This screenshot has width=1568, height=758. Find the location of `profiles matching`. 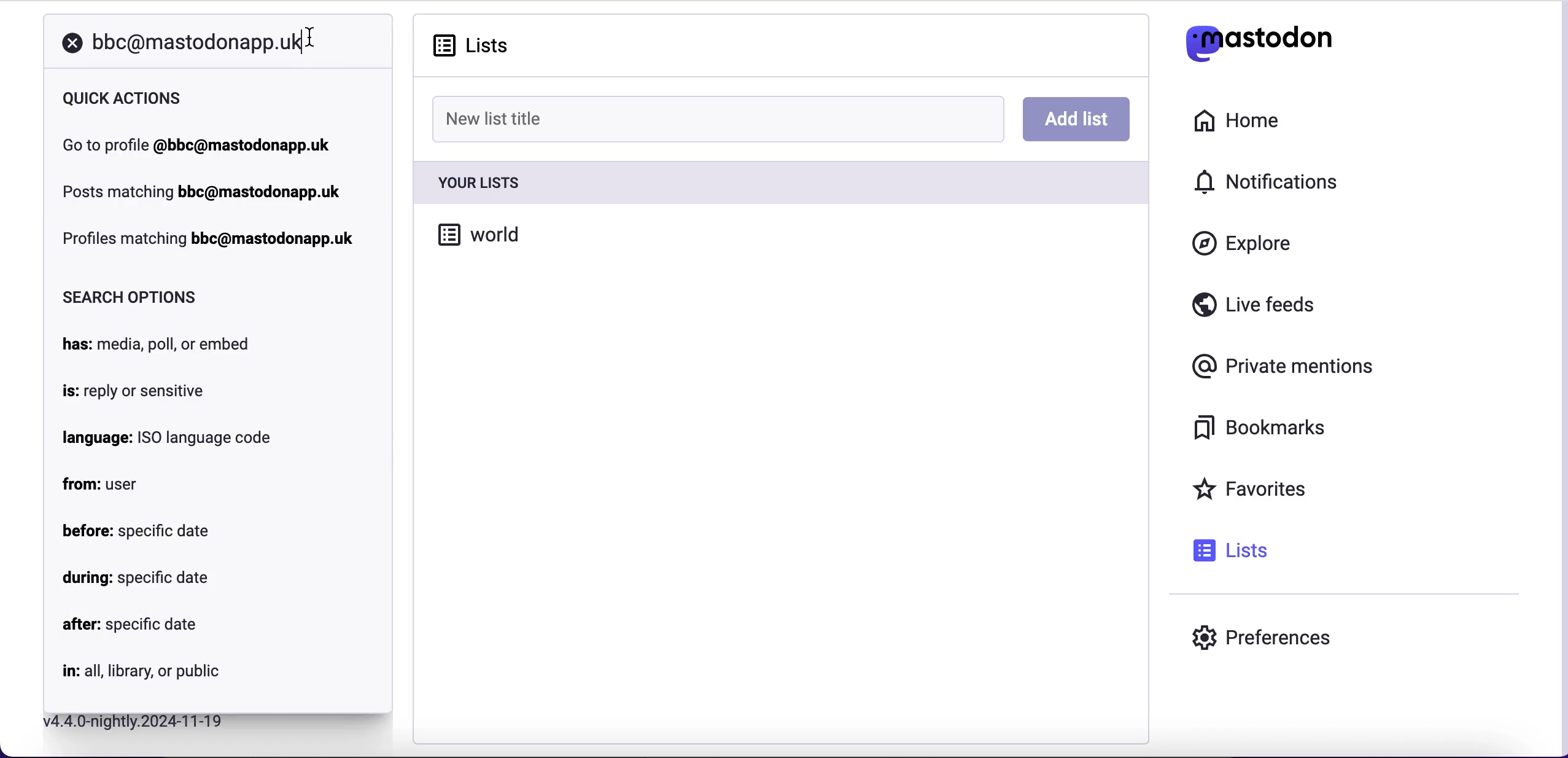

profiles matching is located at coordinates (212, 240).